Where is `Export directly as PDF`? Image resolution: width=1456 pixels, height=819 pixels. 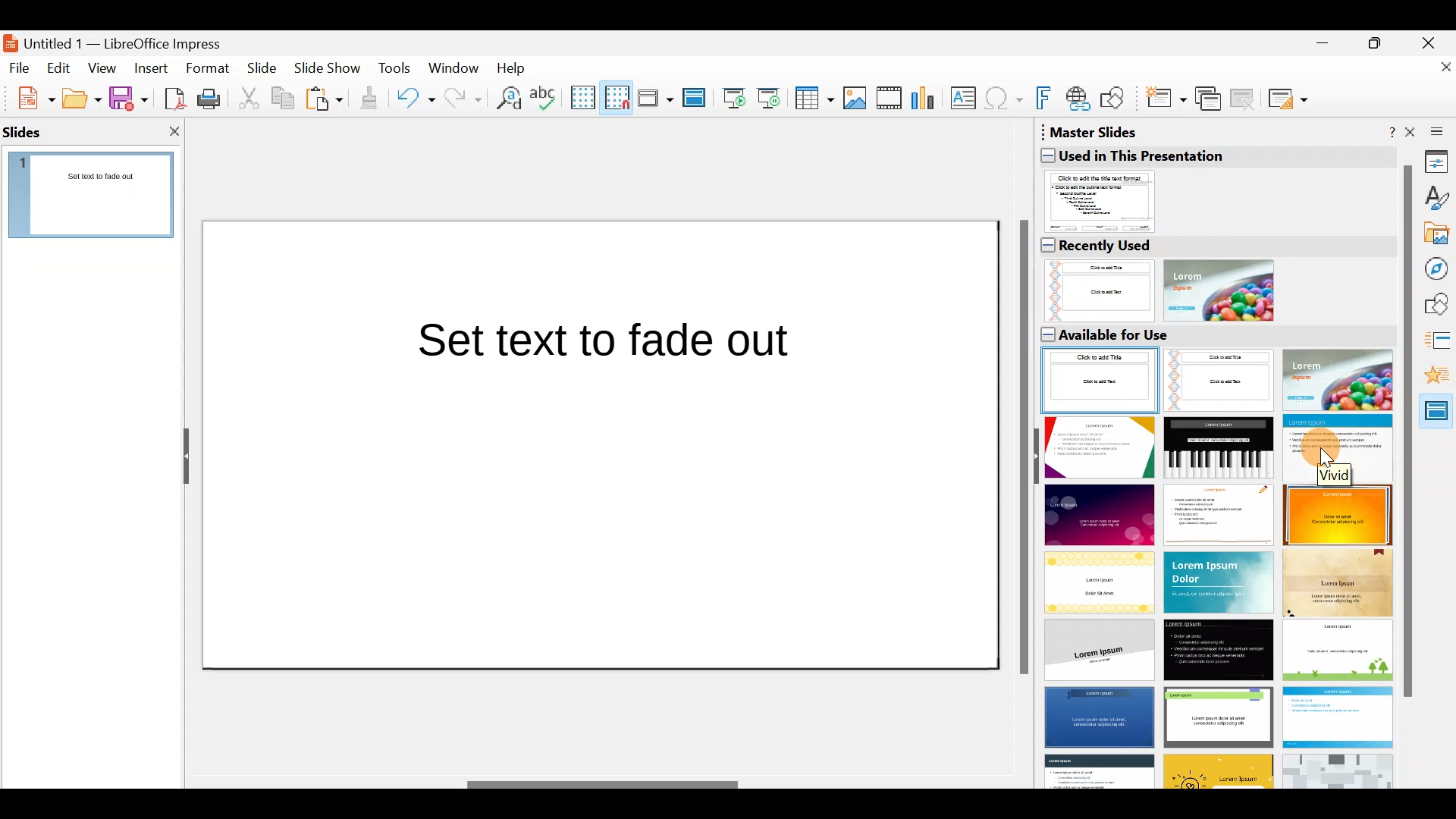
Export directly as PDF is located at coordinates (171, 97).